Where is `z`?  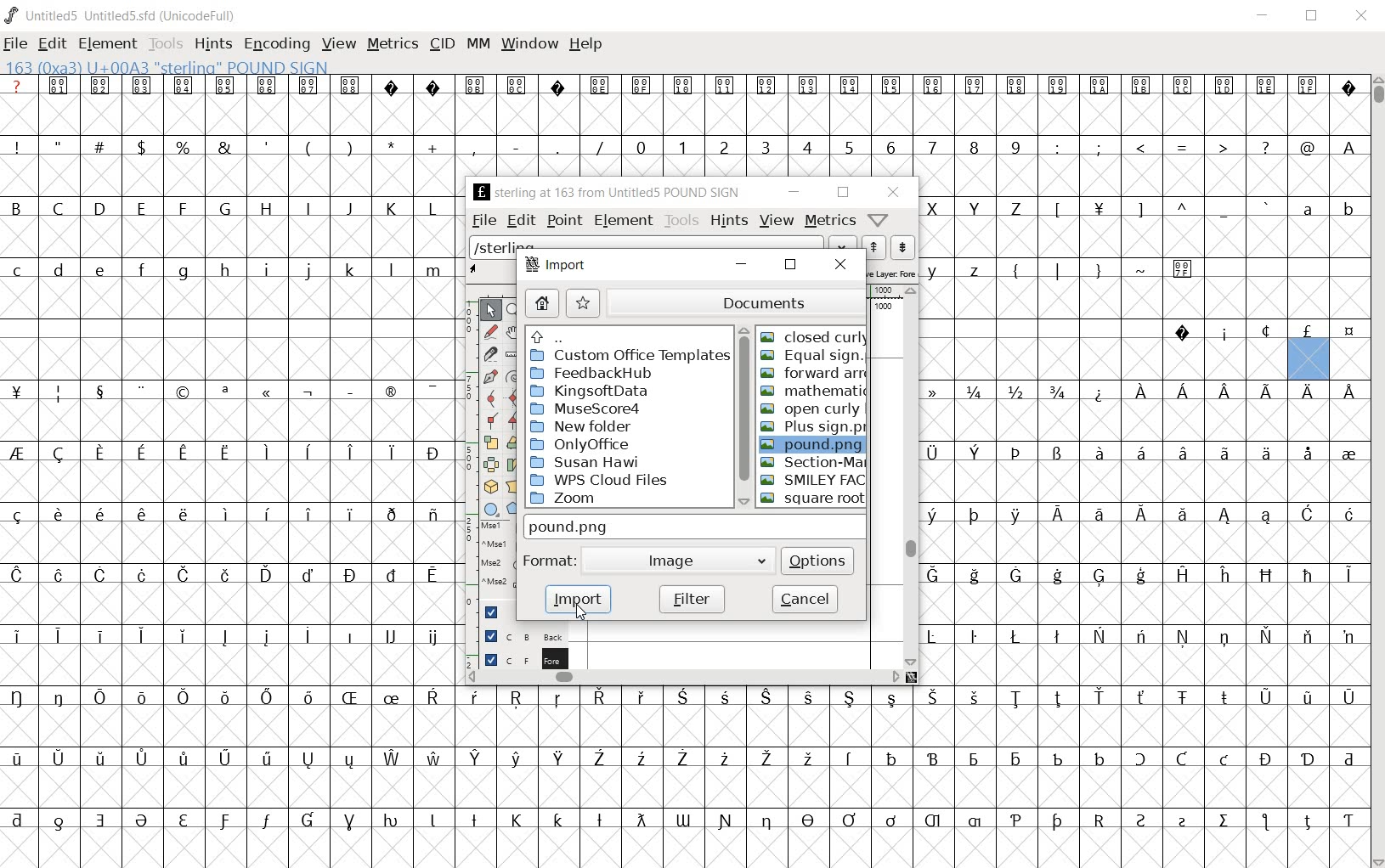
z is located at coordinates (975, 268).